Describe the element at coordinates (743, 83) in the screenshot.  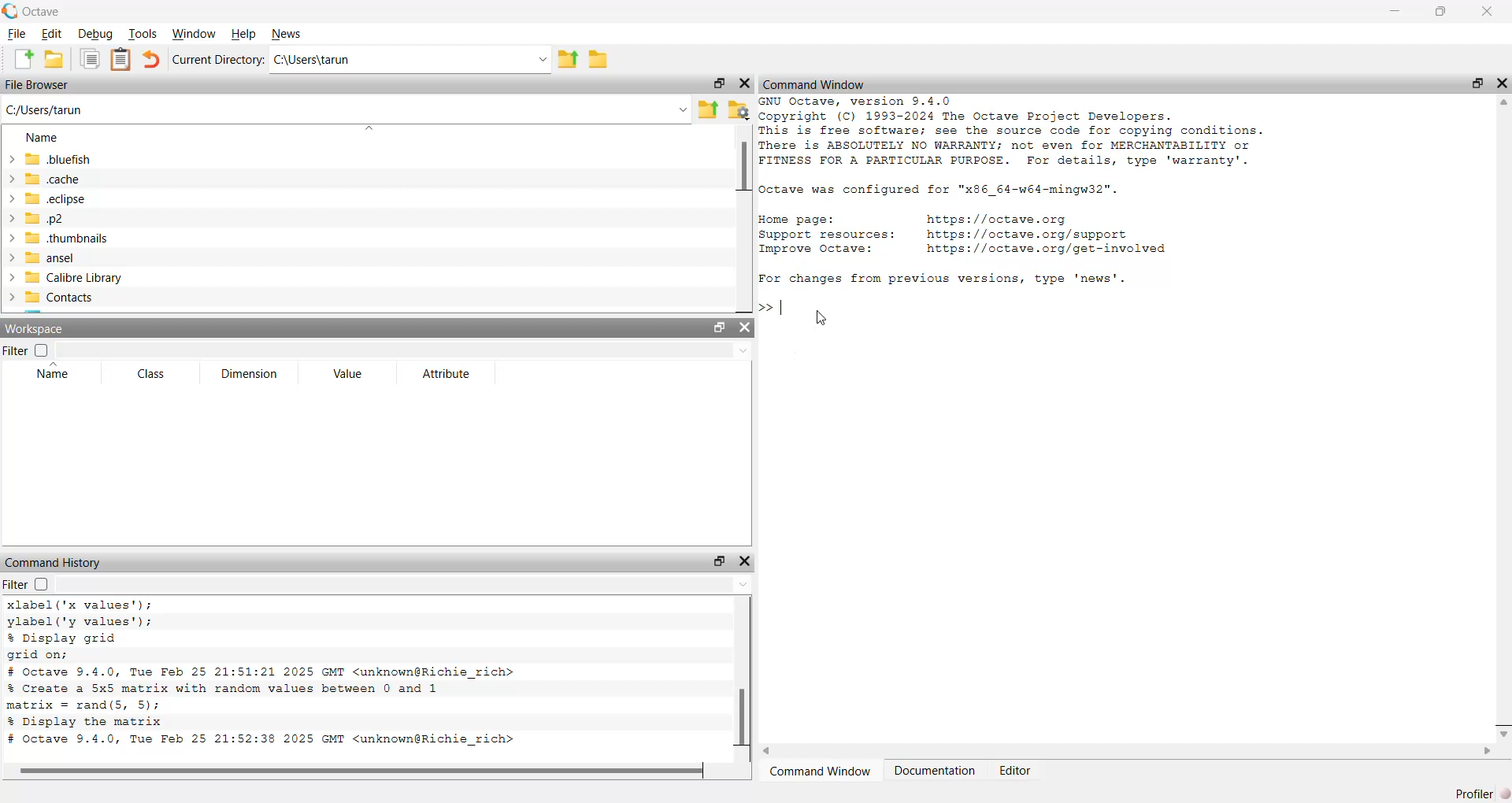
I see `close` at that location.